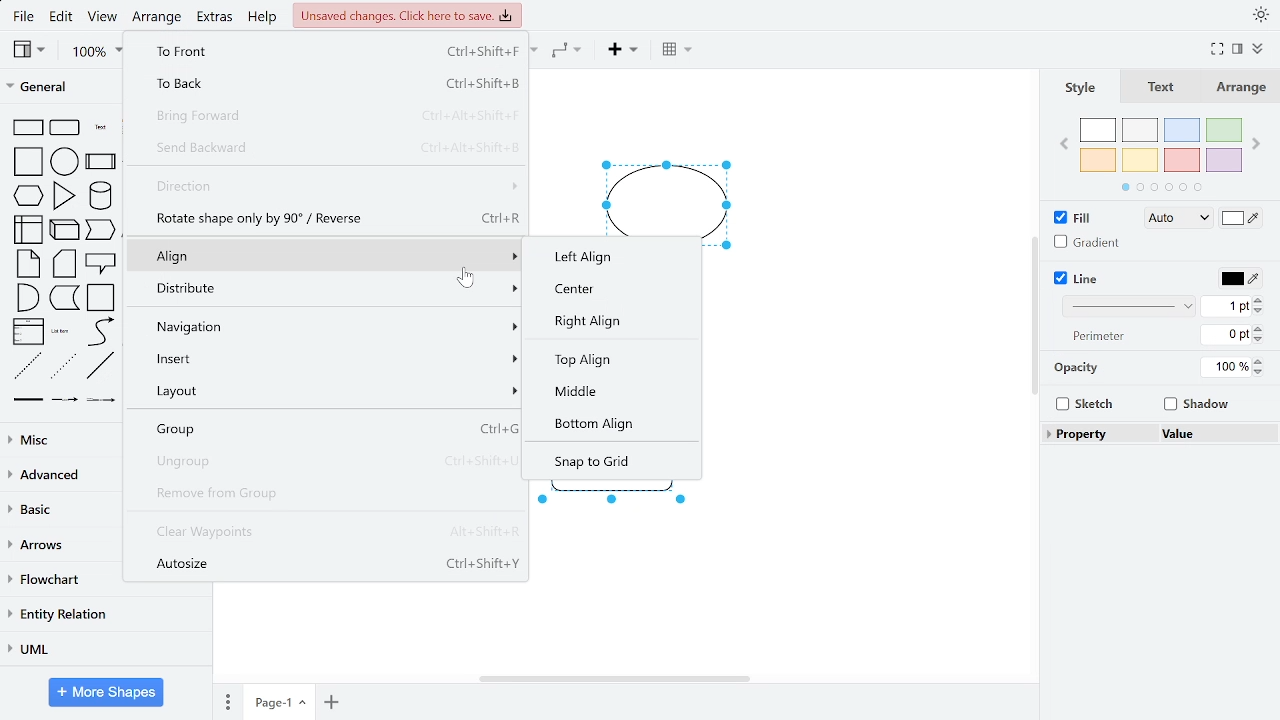  I want to click on Layout, so click(326, 391).